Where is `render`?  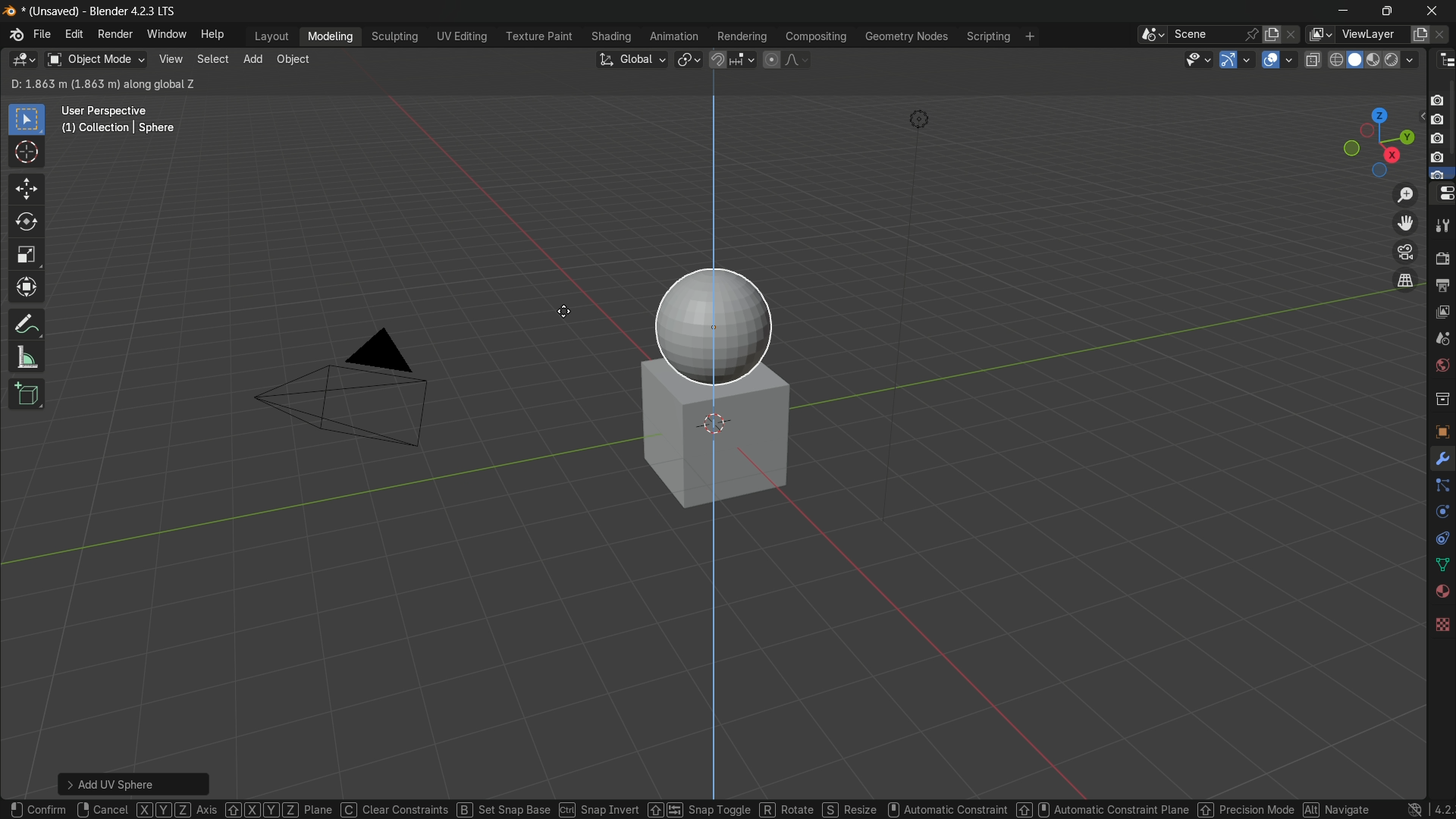
render is located at coordinates (1441, 256).